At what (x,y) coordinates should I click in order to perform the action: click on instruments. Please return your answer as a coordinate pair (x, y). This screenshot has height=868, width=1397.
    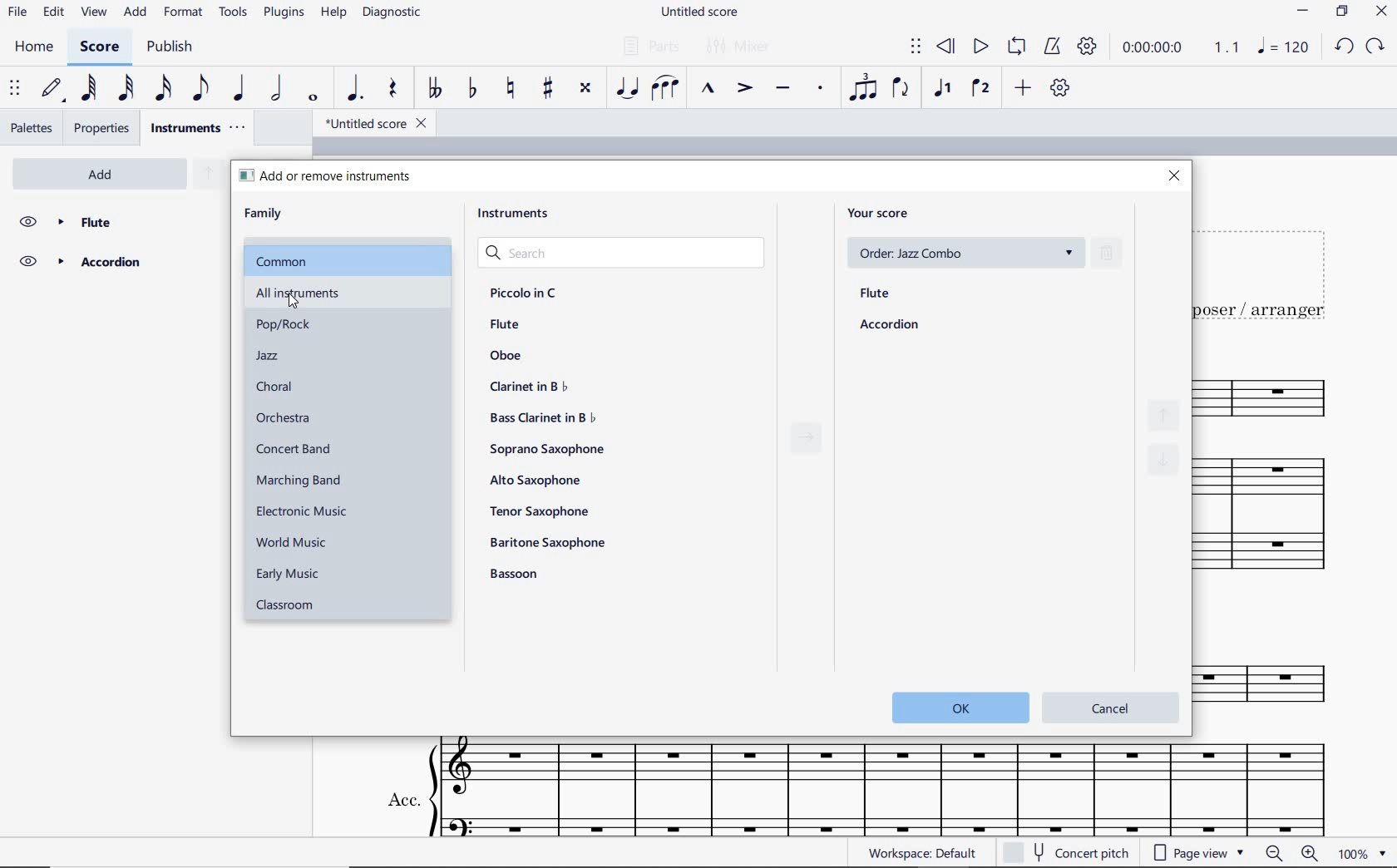
    Looking at the image, I should click on (510, 214).